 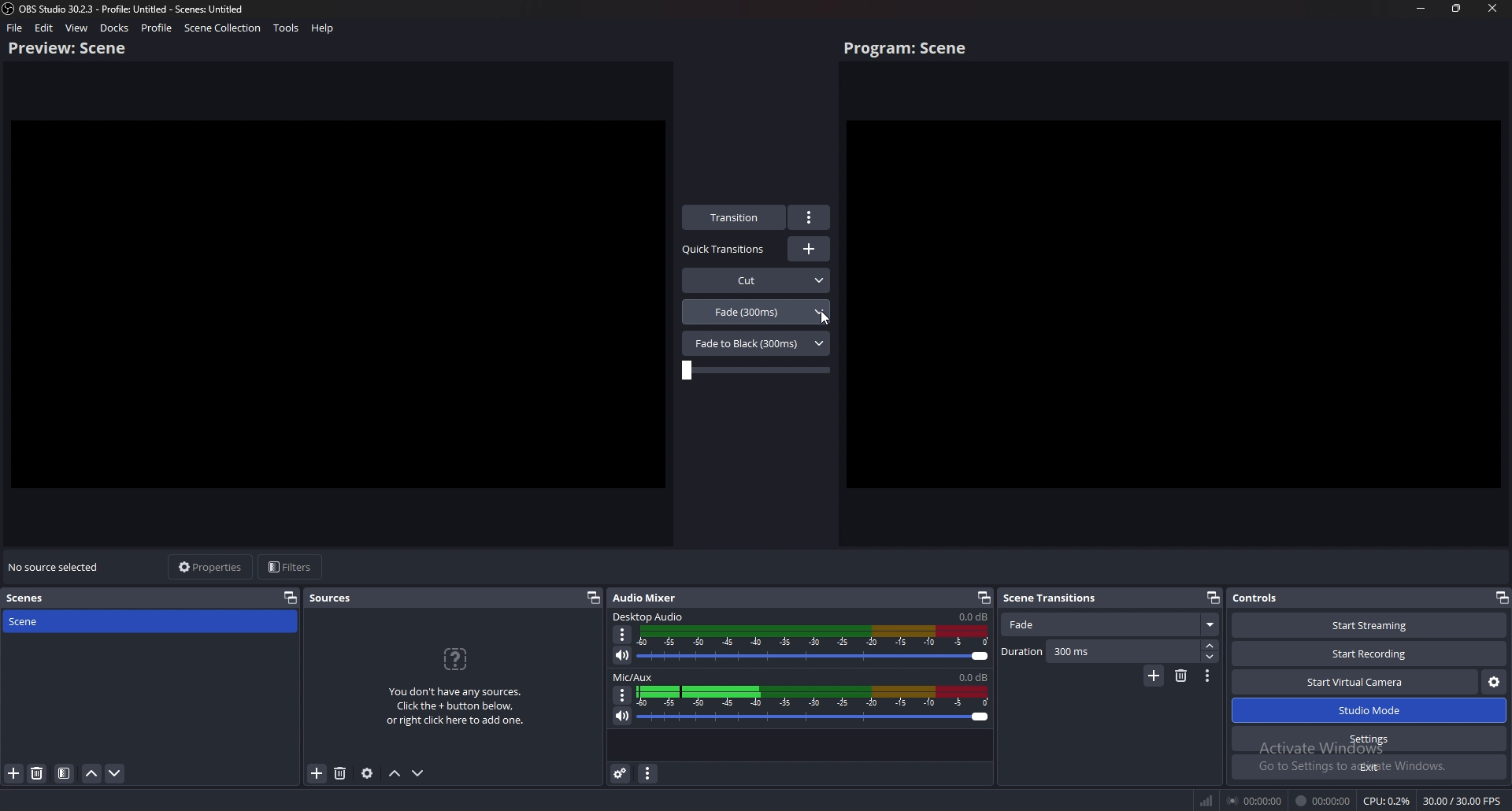 What do you see at coordinates (624, 635) in the screenshot?
I see `Options` at bounding box center [624, 635].